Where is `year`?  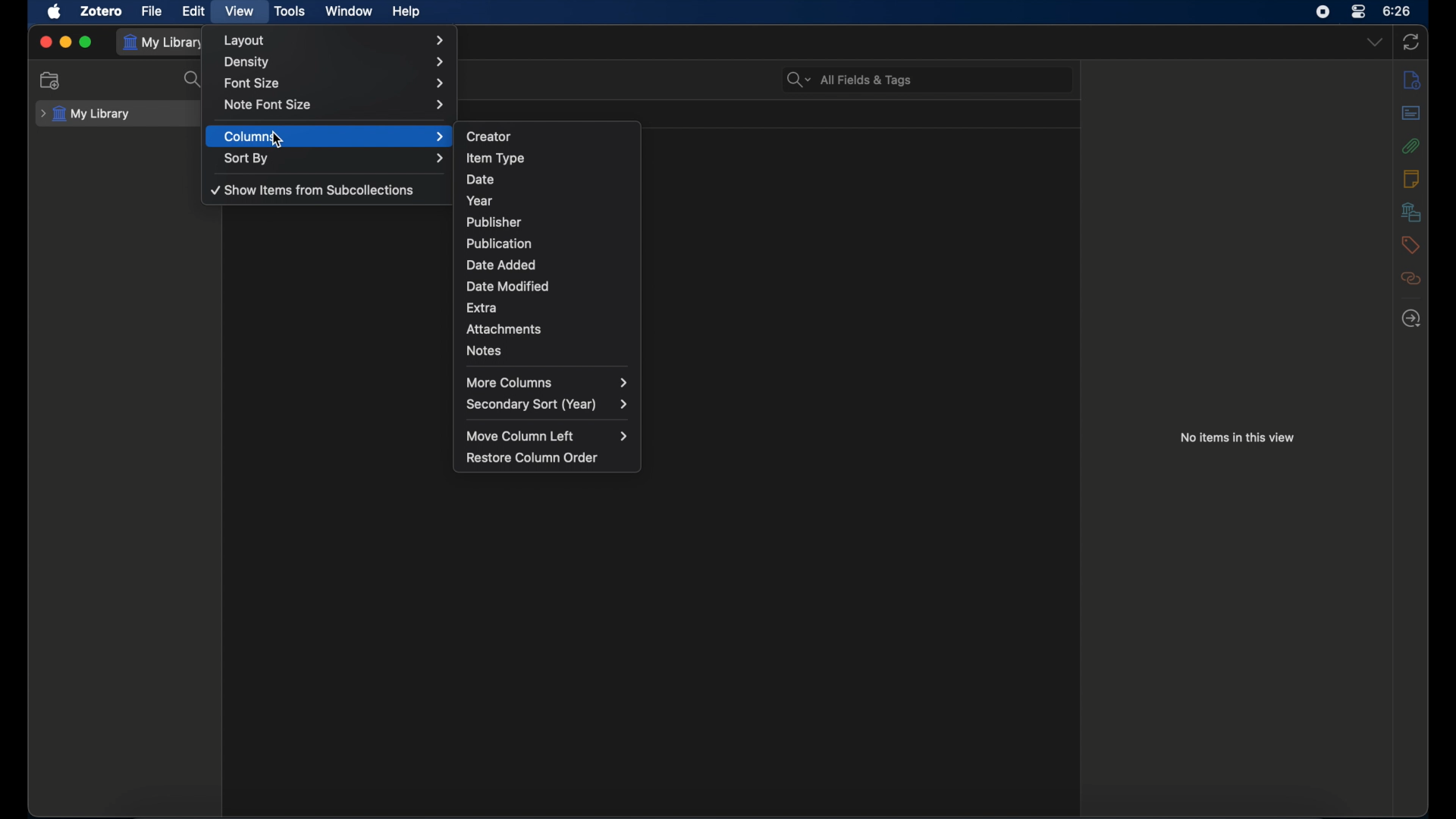 year is located at coordinates (547, 199).